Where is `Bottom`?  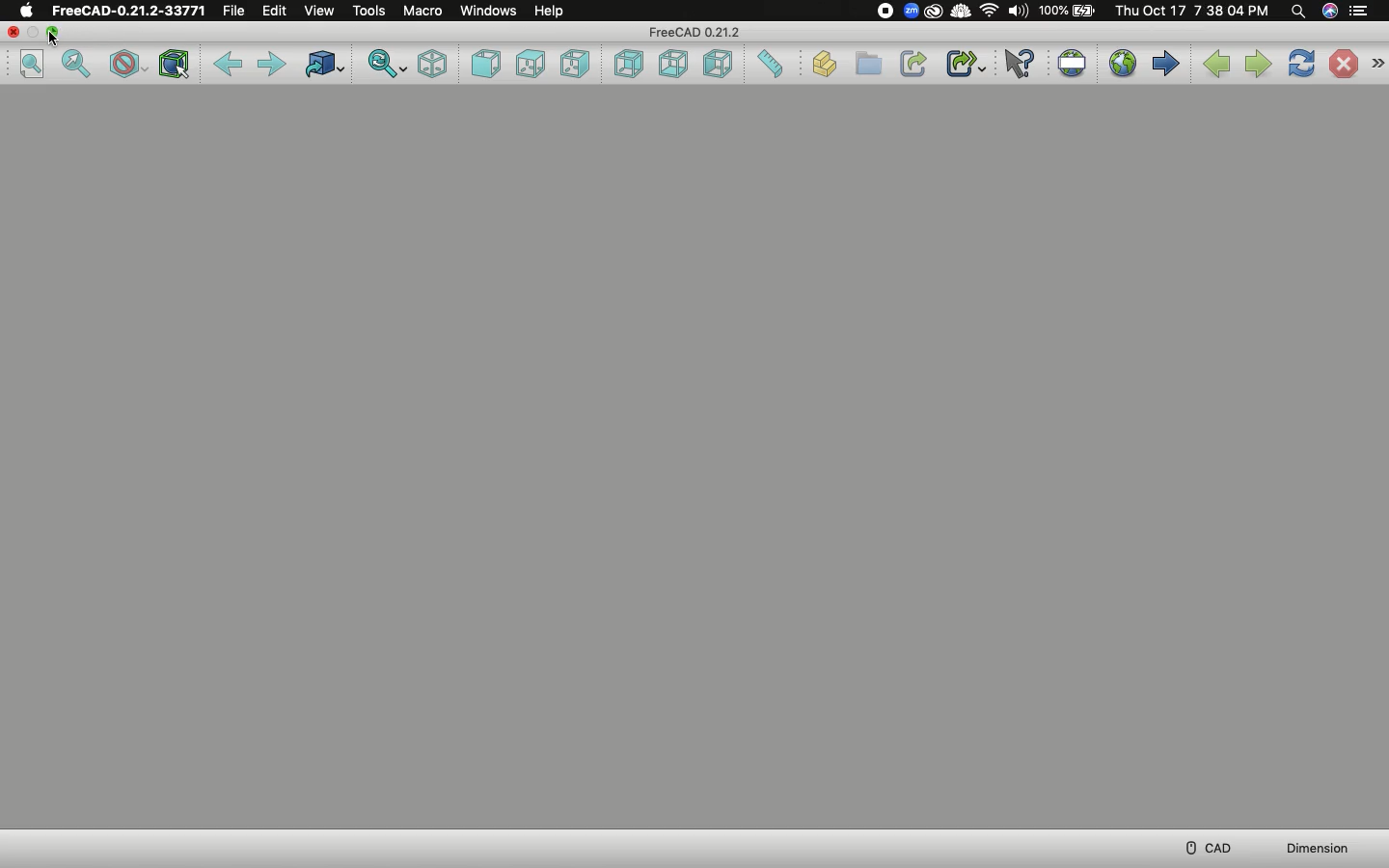
Bottom is located at coordinates (673, 65).